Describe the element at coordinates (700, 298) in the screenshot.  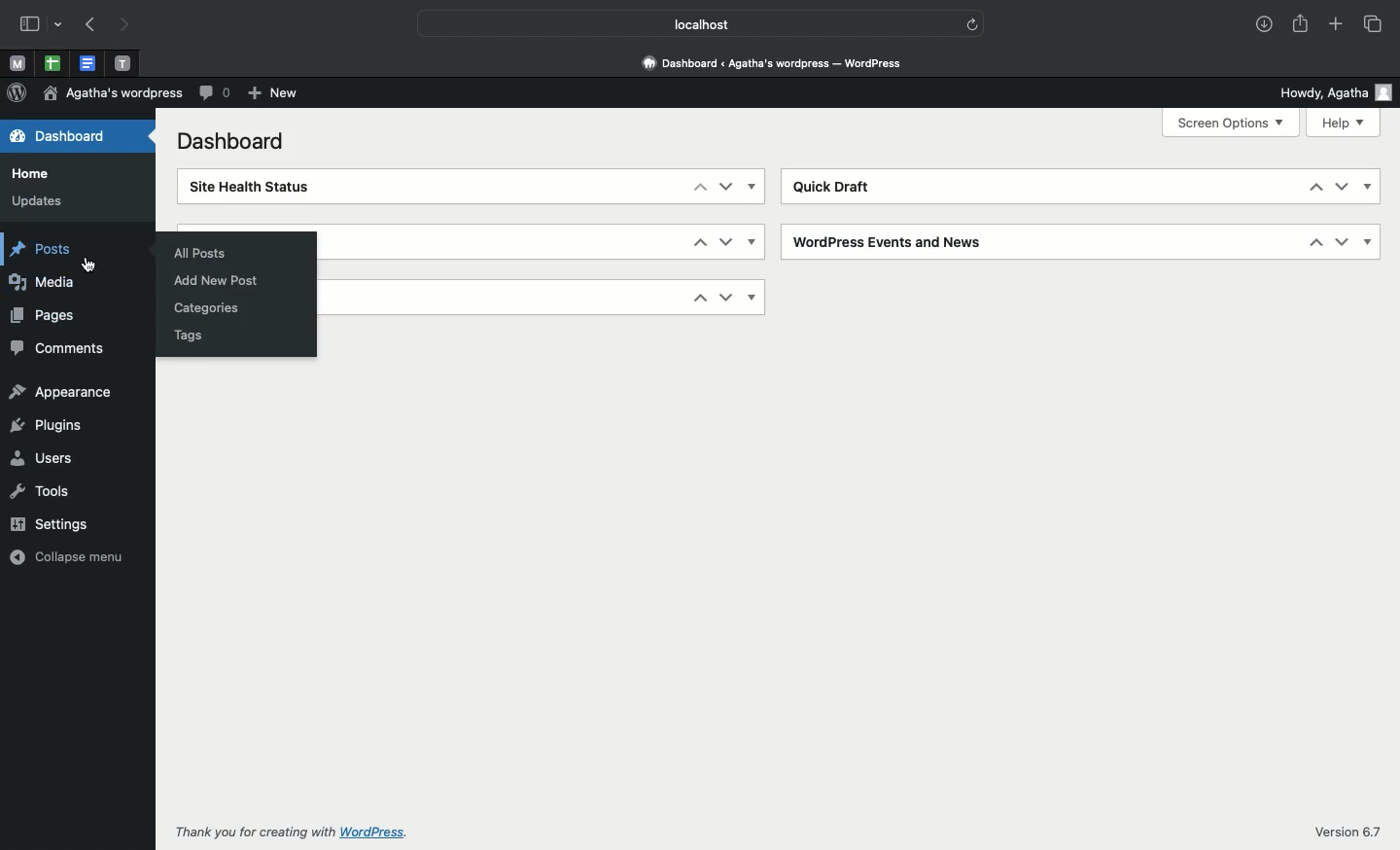
I see `Up` at that location.